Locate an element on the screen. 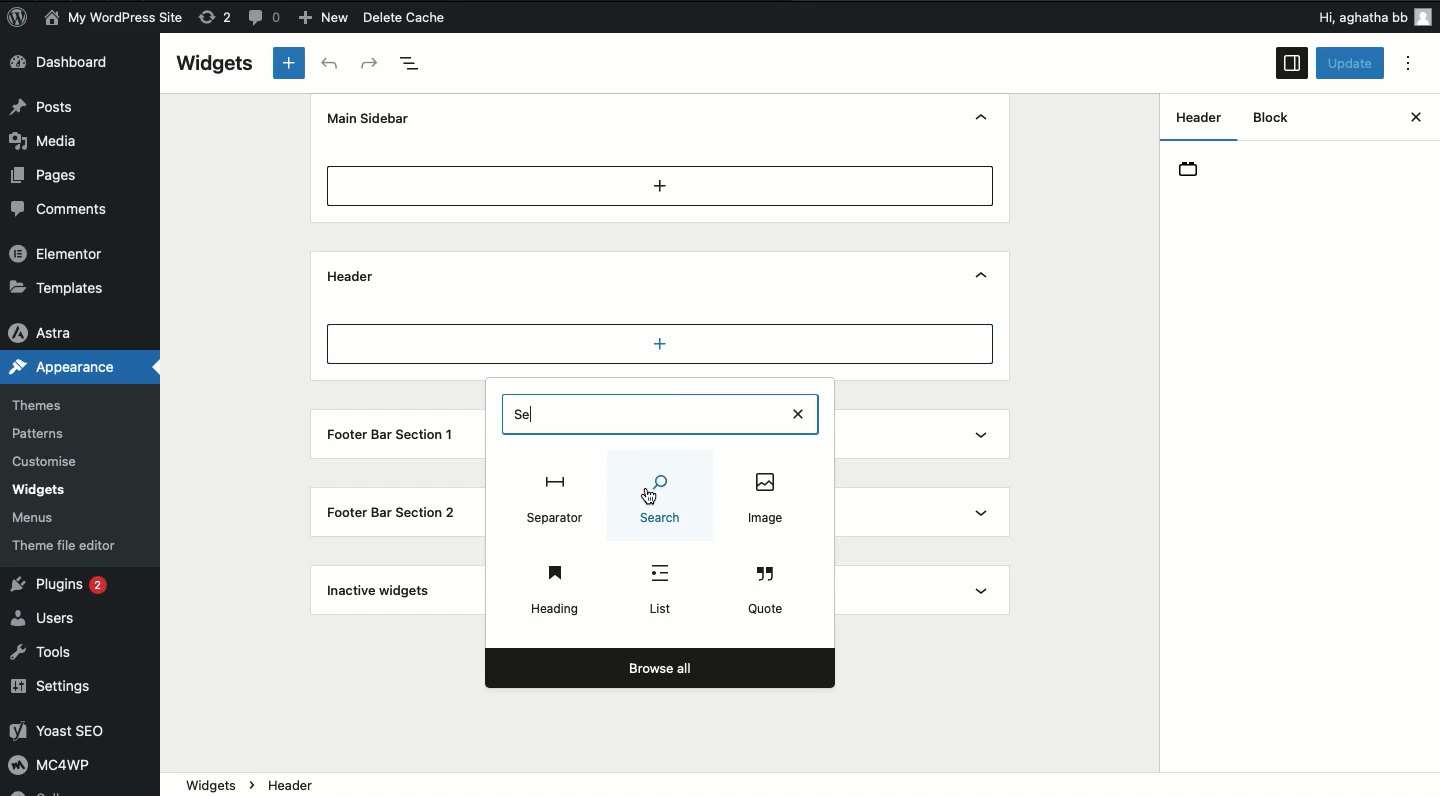 This screenshot has width=1440, height=796. Settings is located at coordinates (62, 686).